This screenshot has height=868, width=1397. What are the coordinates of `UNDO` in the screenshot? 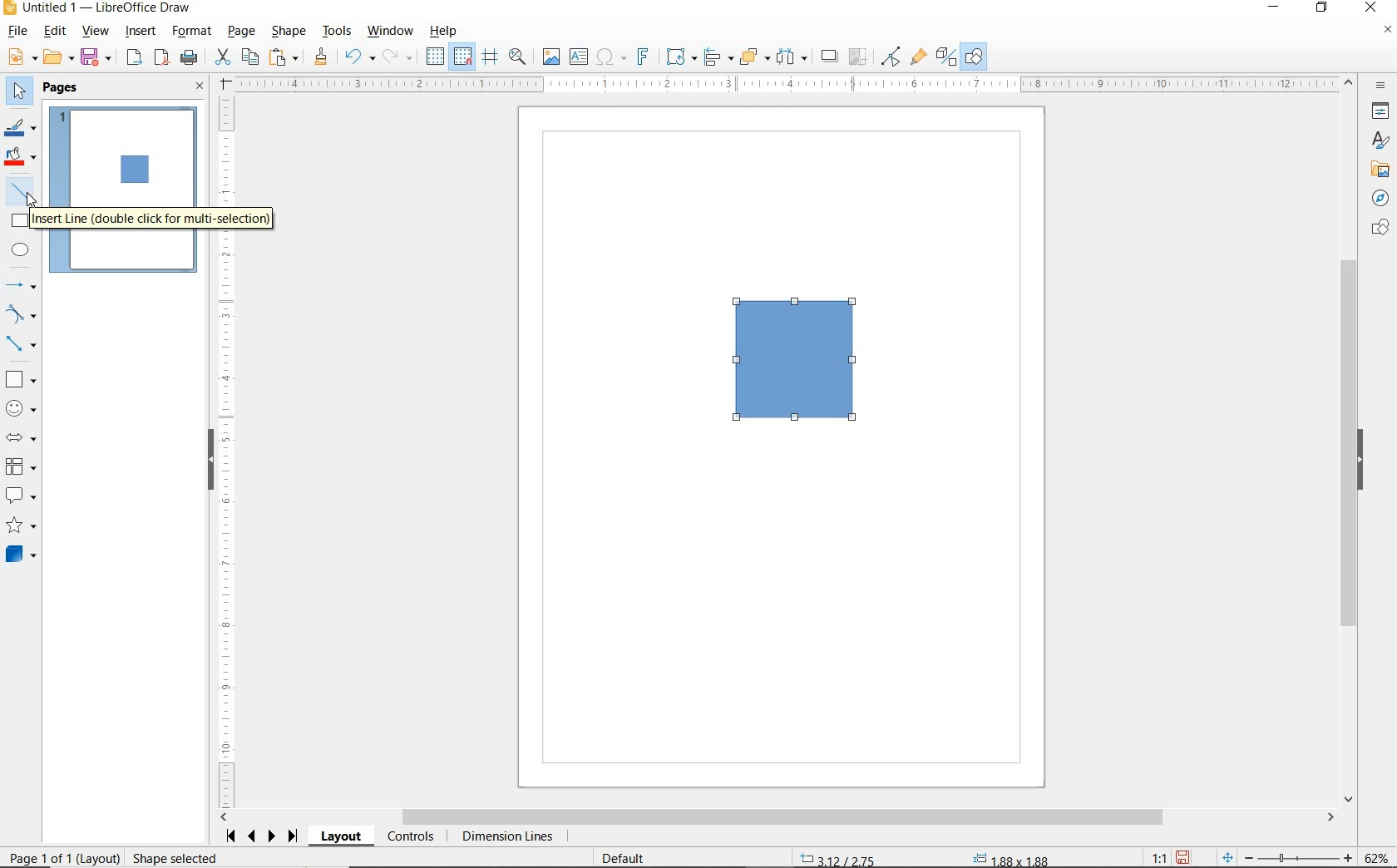 It's located at (360, 58).